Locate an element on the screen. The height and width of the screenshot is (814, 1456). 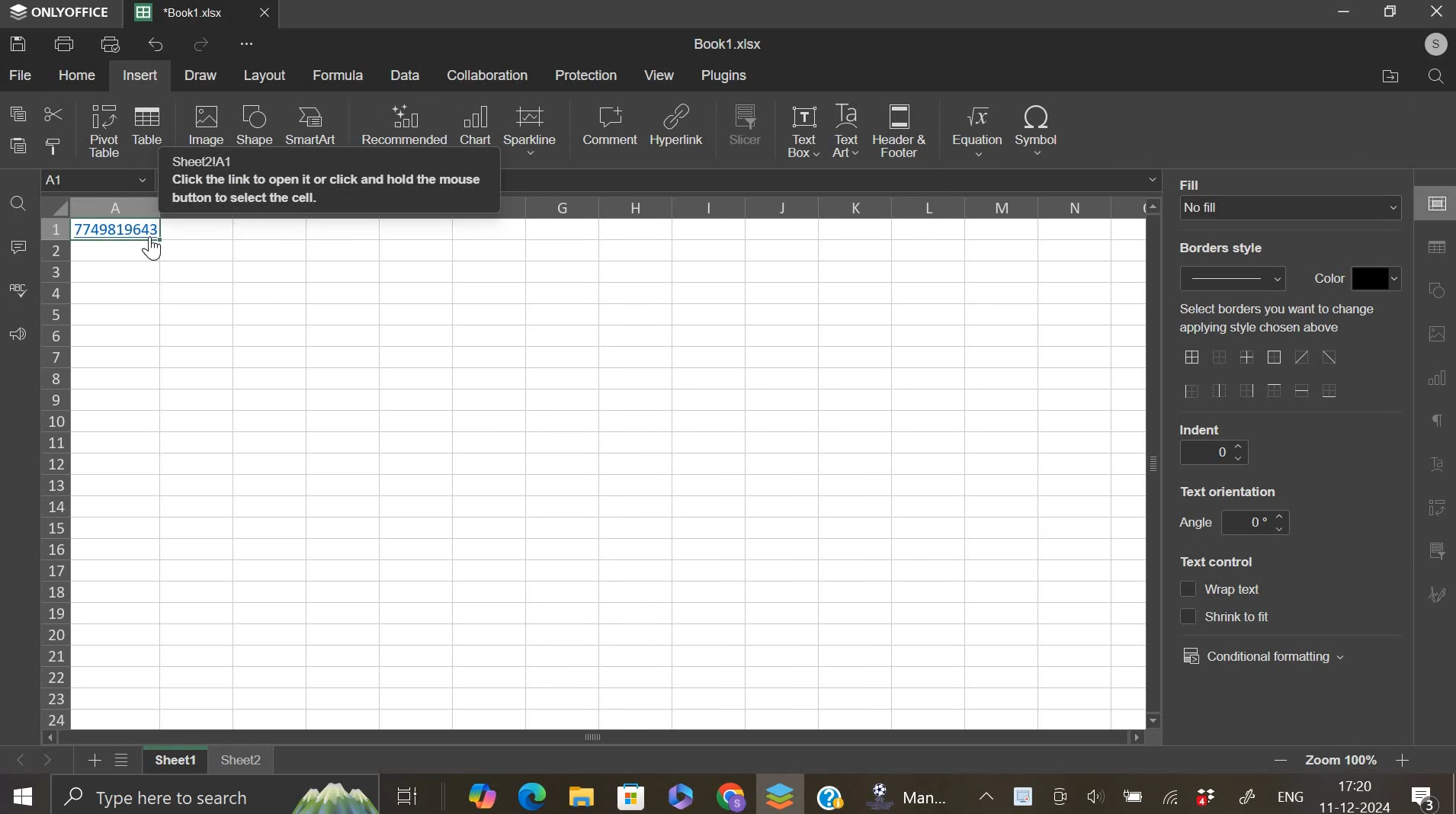
files is located at coordinates (1390, 76).